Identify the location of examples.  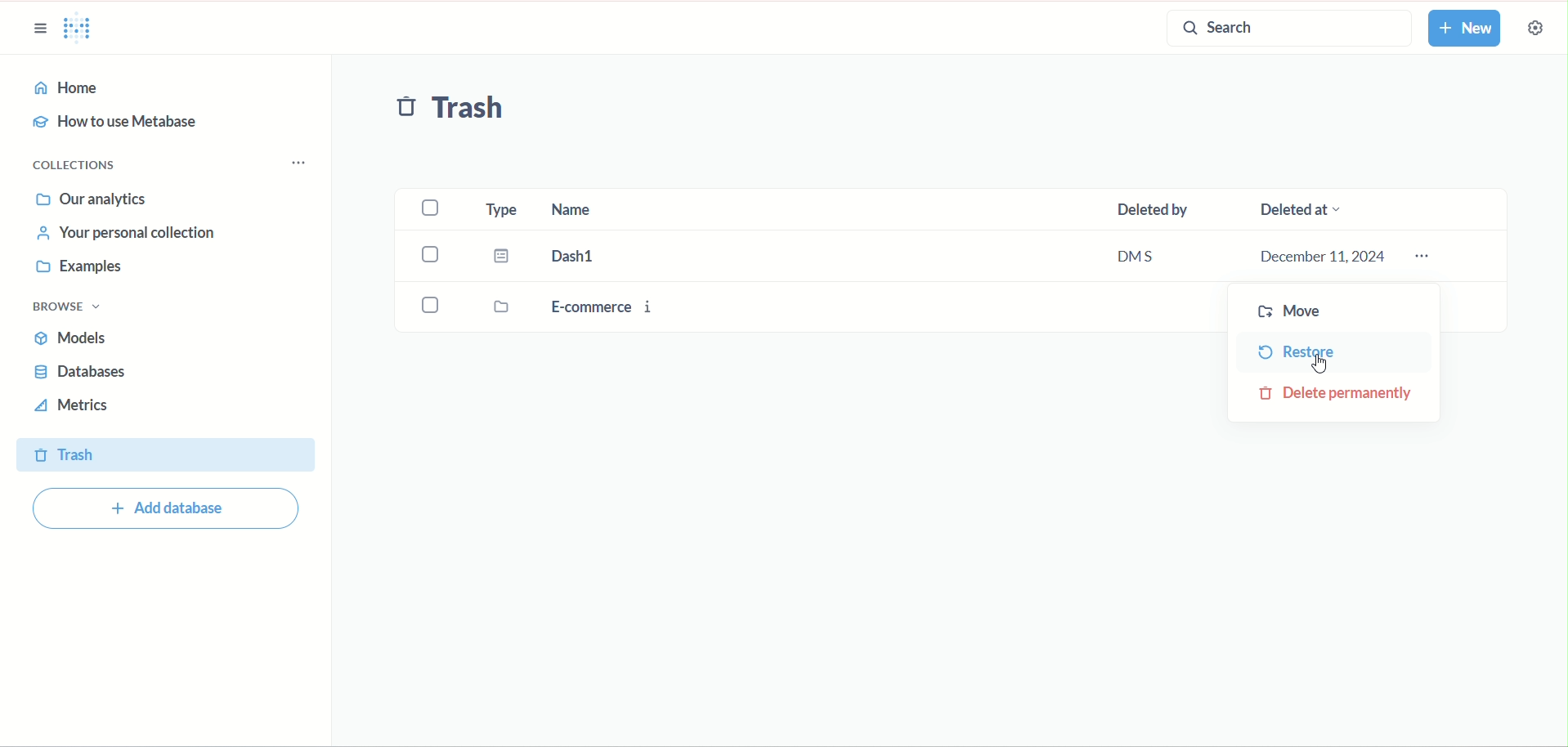
(80, 268).